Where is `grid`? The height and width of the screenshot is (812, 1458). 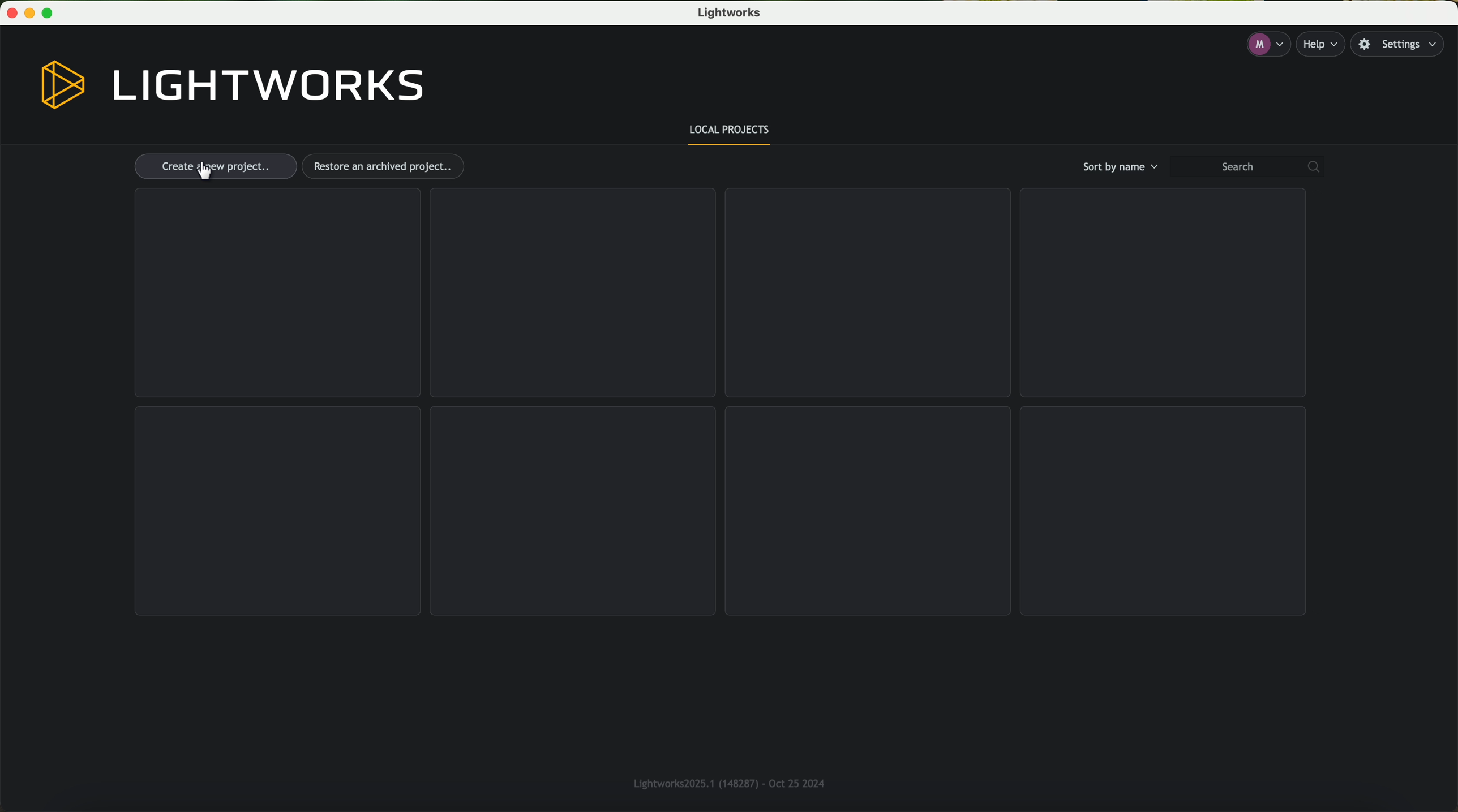
grid is located at coordinates (278, 511).